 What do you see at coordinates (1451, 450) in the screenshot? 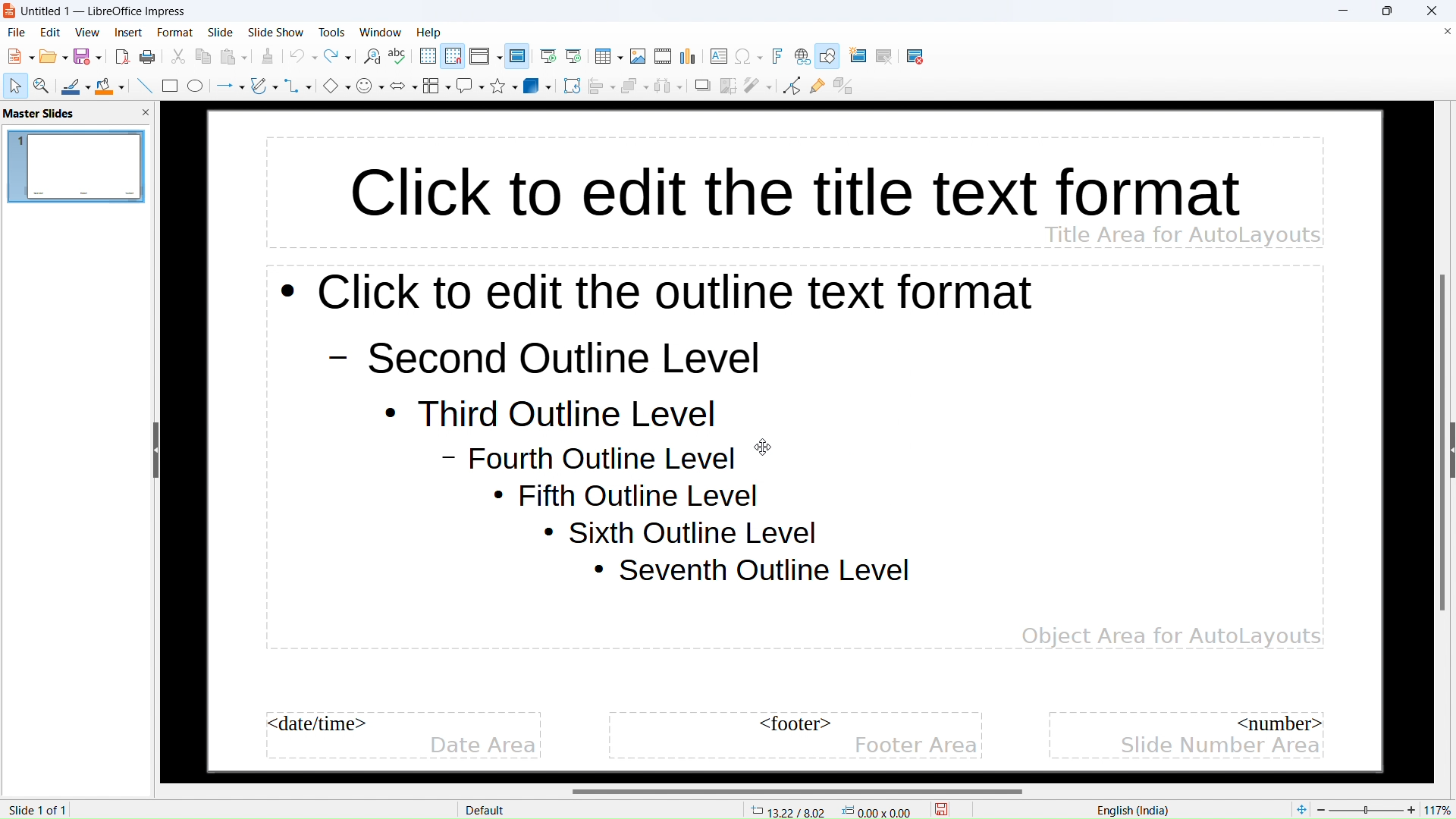
I see `expand` at bounding box center [1451, 450].